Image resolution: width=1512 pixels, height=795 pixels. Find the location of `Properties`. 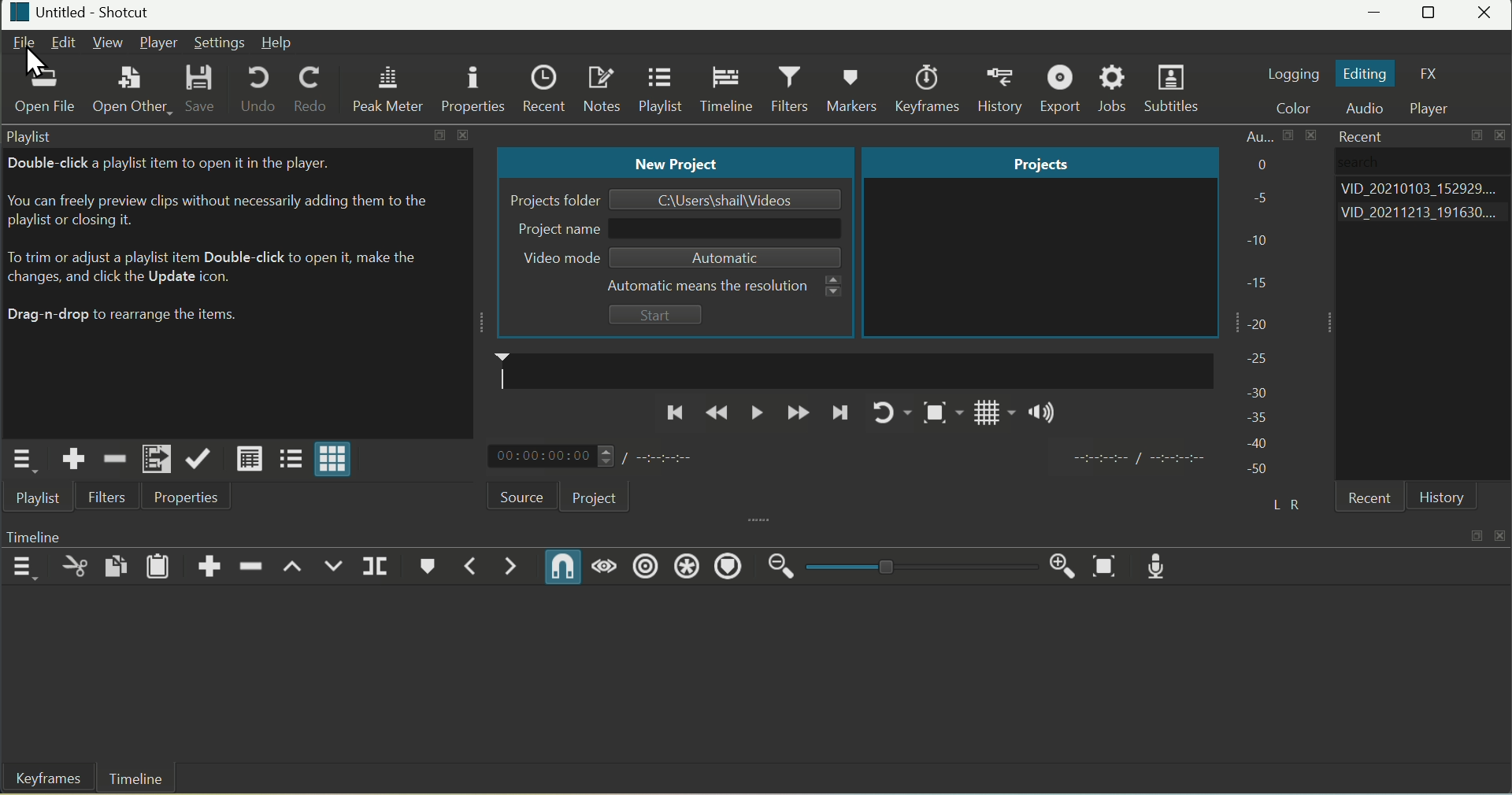

Properties is located at coordinates (472, 87).